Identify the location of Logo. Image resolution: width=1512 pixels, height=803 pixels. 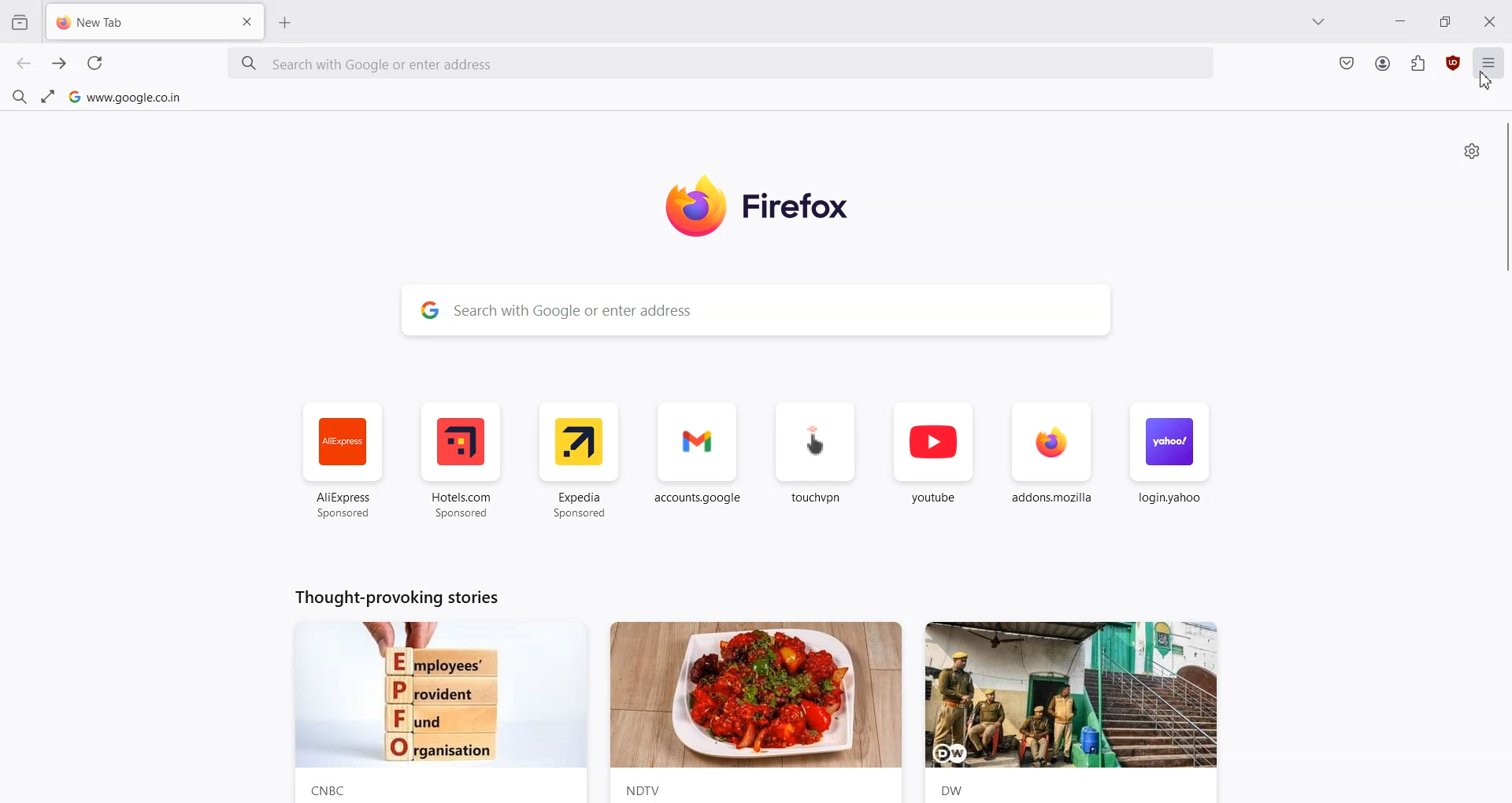
(780, 206).